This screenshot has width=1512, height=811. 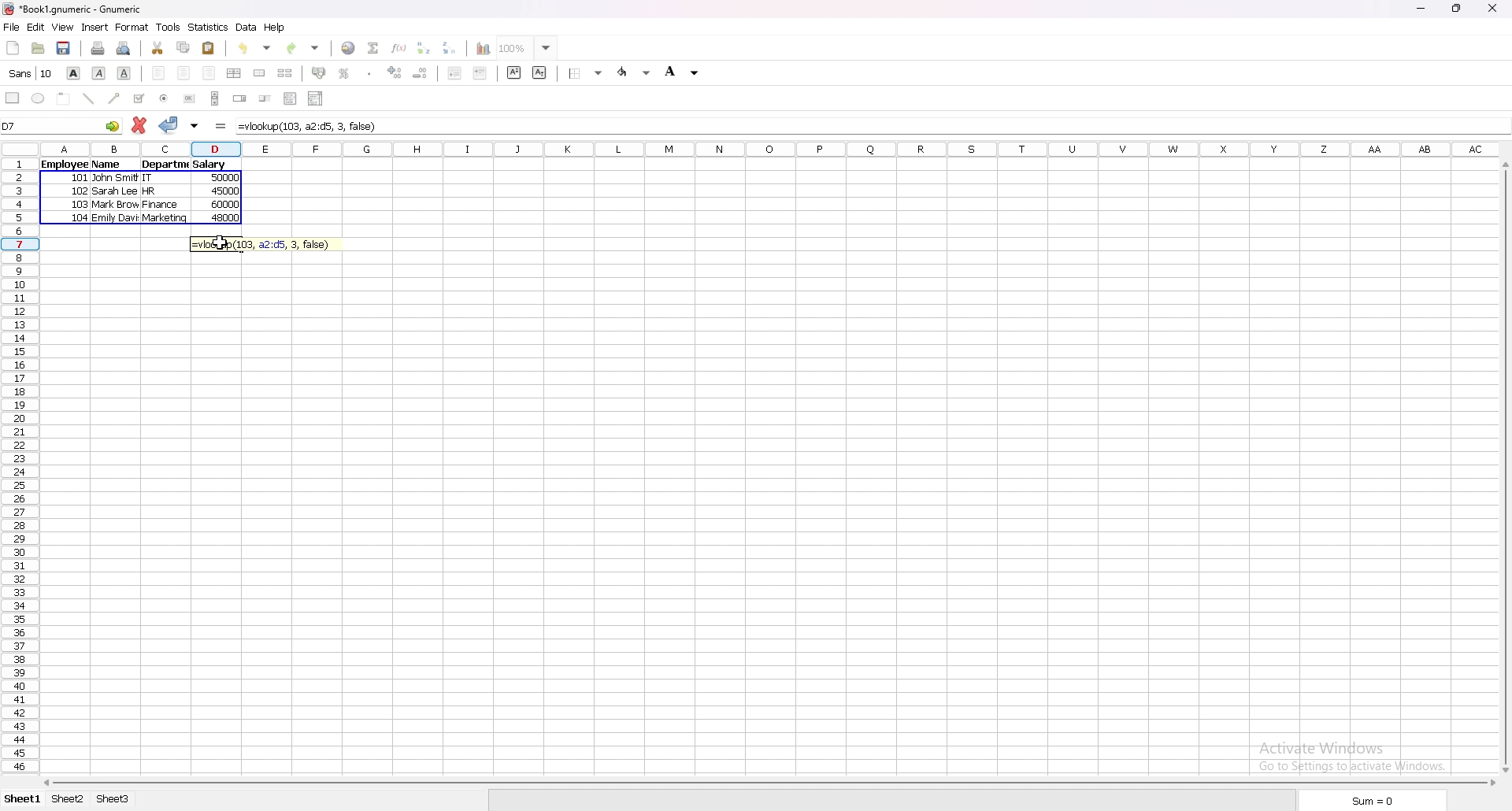 I want to click on scroll bar, so click(x=1503, y=467).